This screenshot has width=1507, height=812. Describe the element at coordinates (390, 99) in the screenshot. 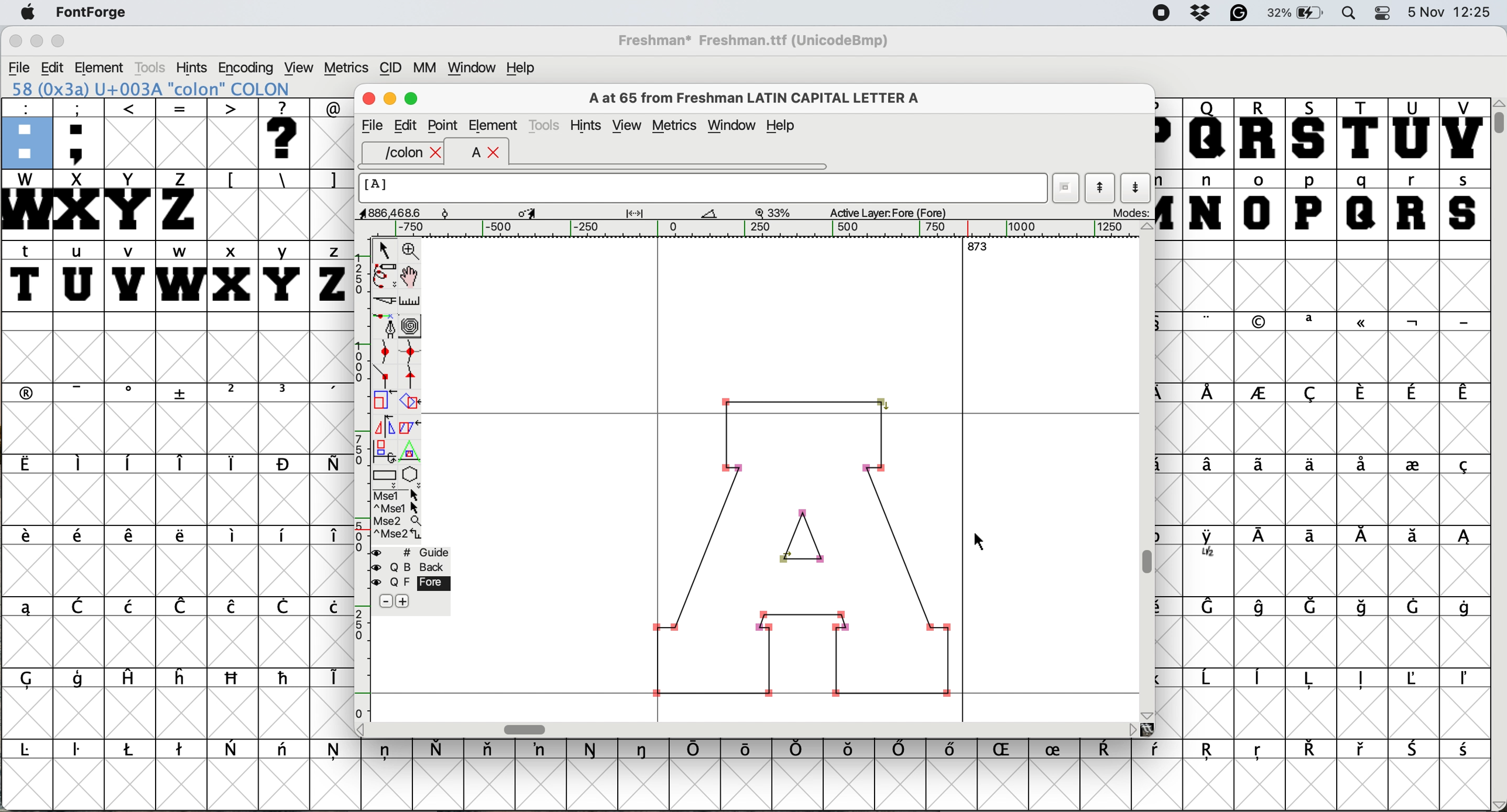

I see `minimise` at that location.